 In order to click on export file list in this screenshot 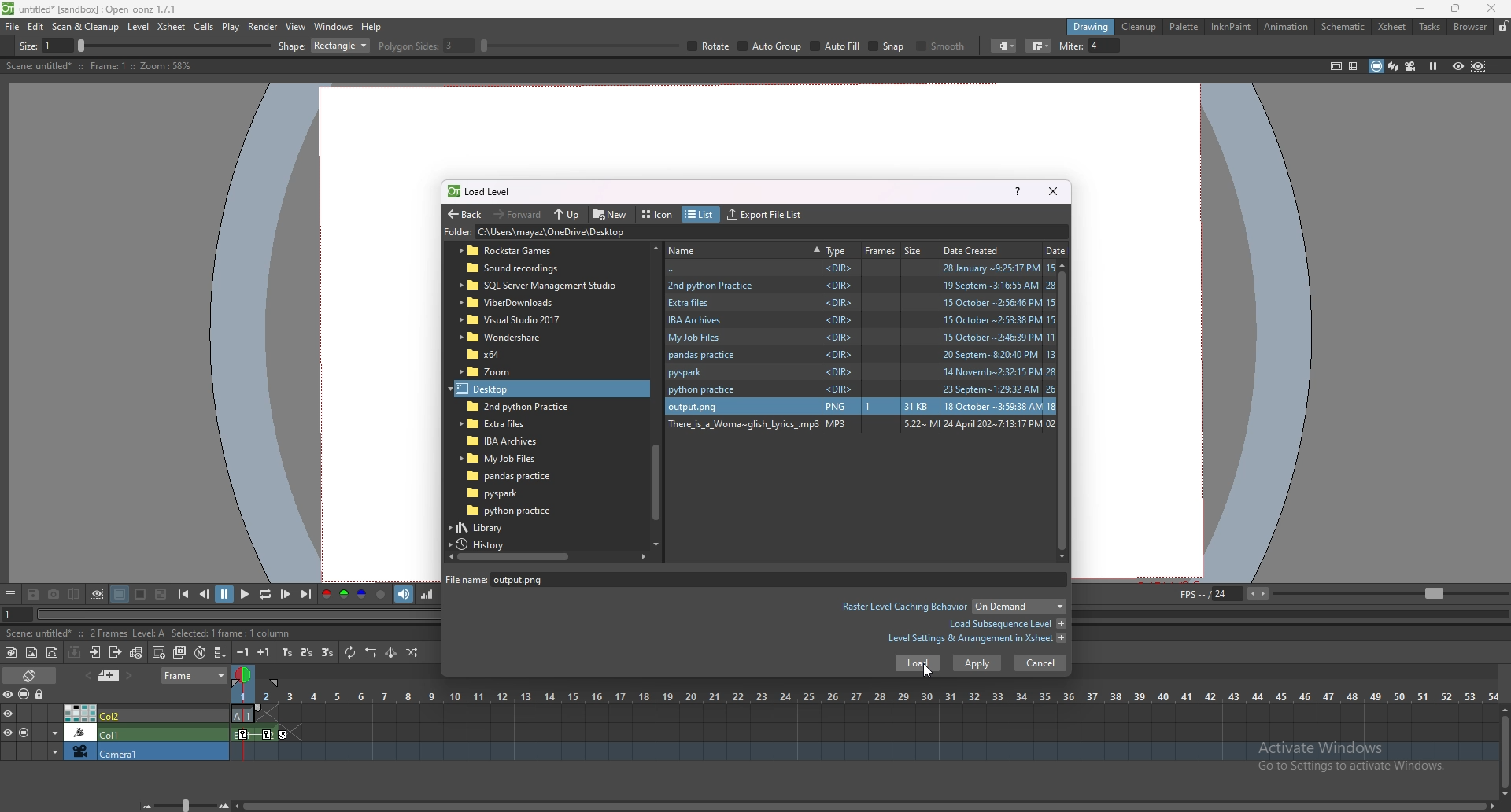, I will do `click(764, 215)`.